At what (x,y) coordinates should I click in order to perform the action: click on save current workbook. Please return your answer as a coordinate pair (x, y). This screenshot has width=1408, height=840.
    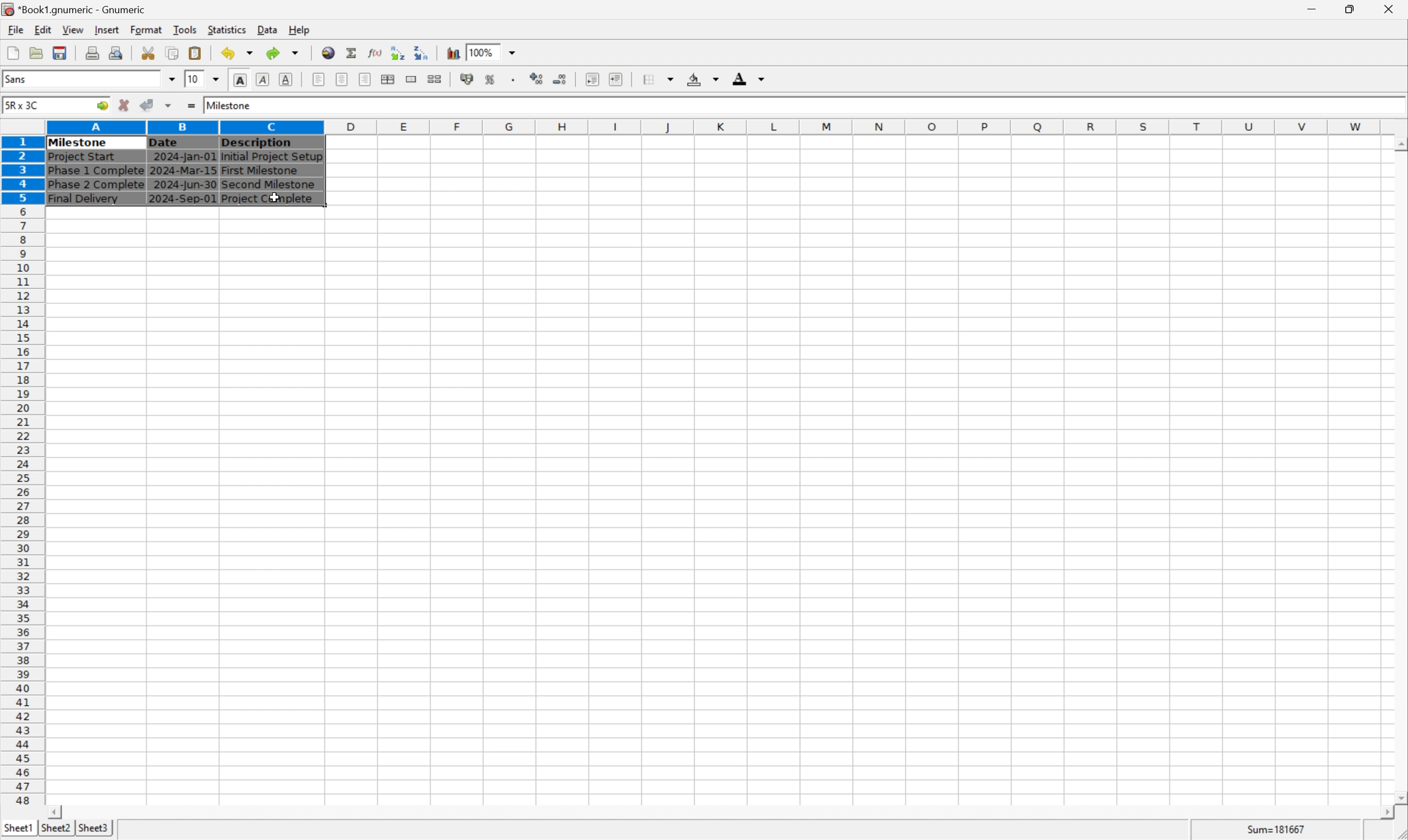
    Looking at the image, I should click on (60, 54).